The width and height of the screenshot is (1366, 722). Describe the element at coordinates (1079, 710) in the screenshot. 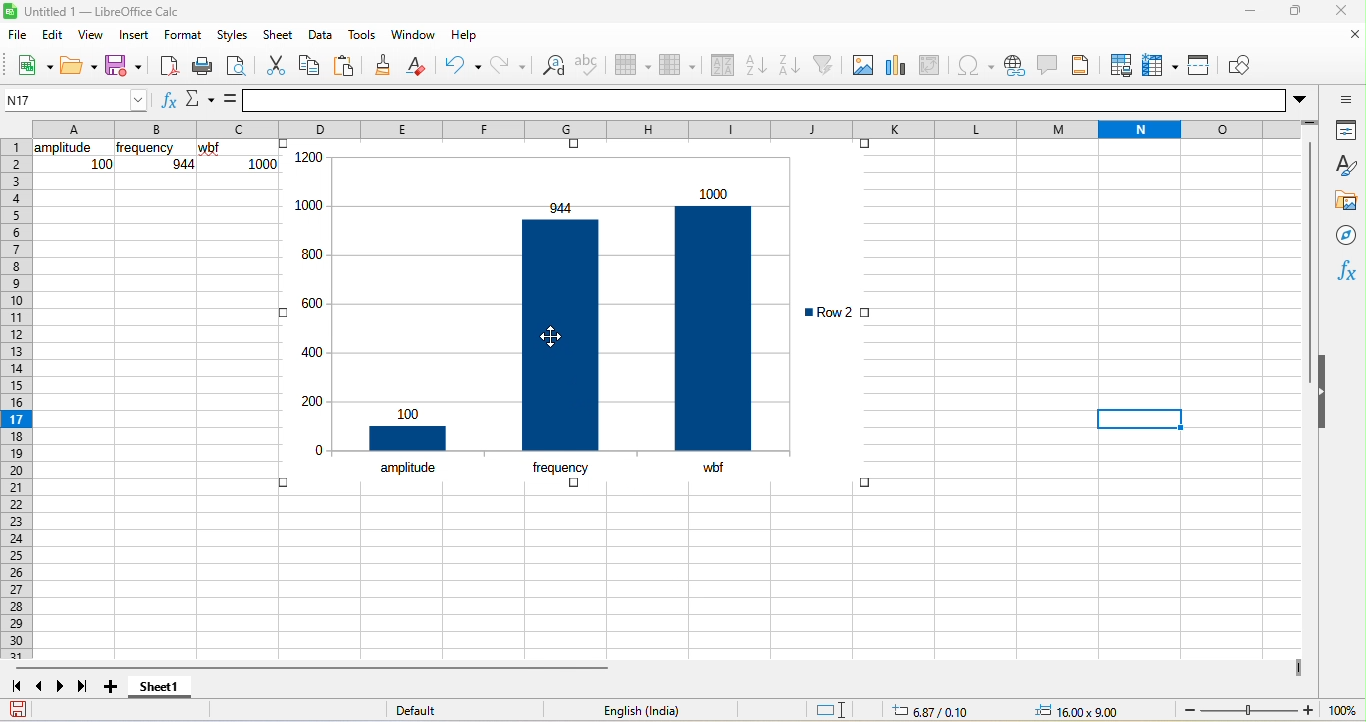

I see `16.00x9.00` at that location.